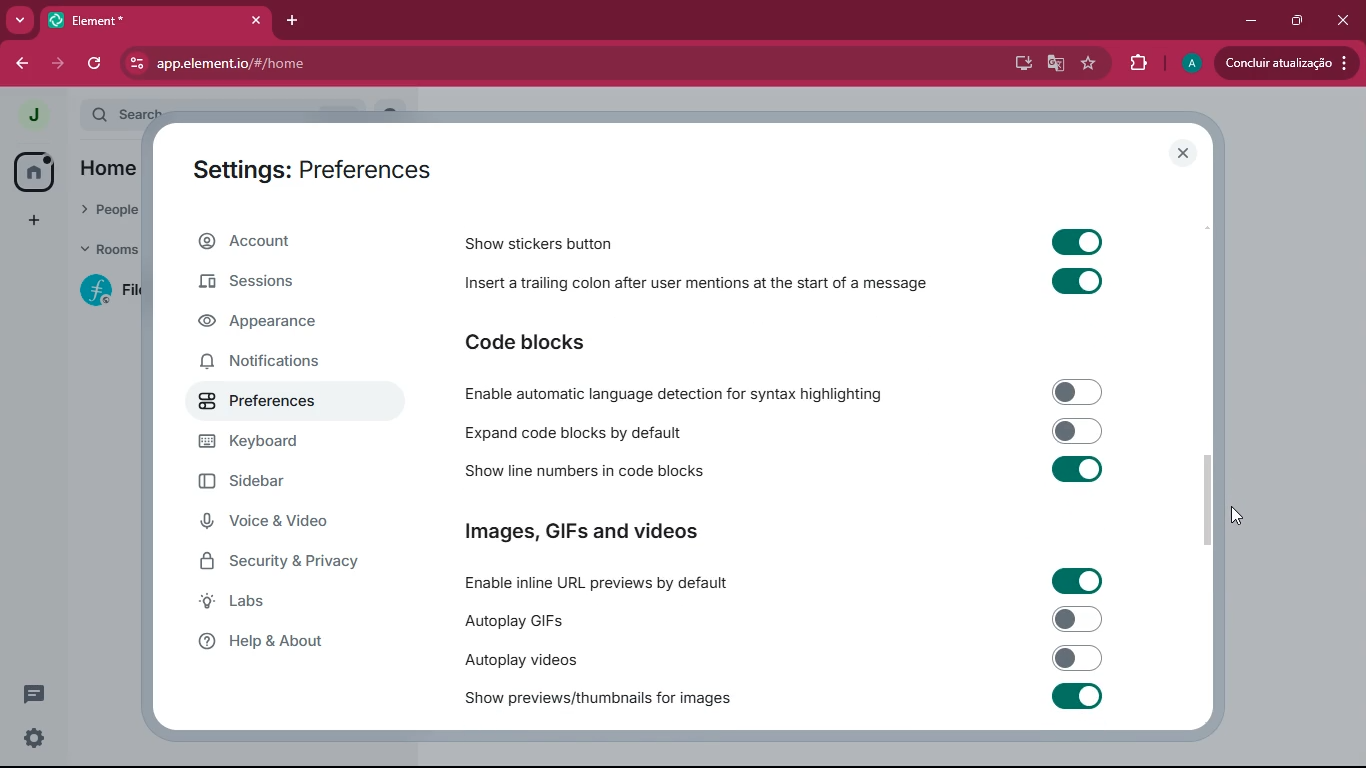  Describe the element at coordinates (337, 65) in the screenshot. I see `website url` at that location.